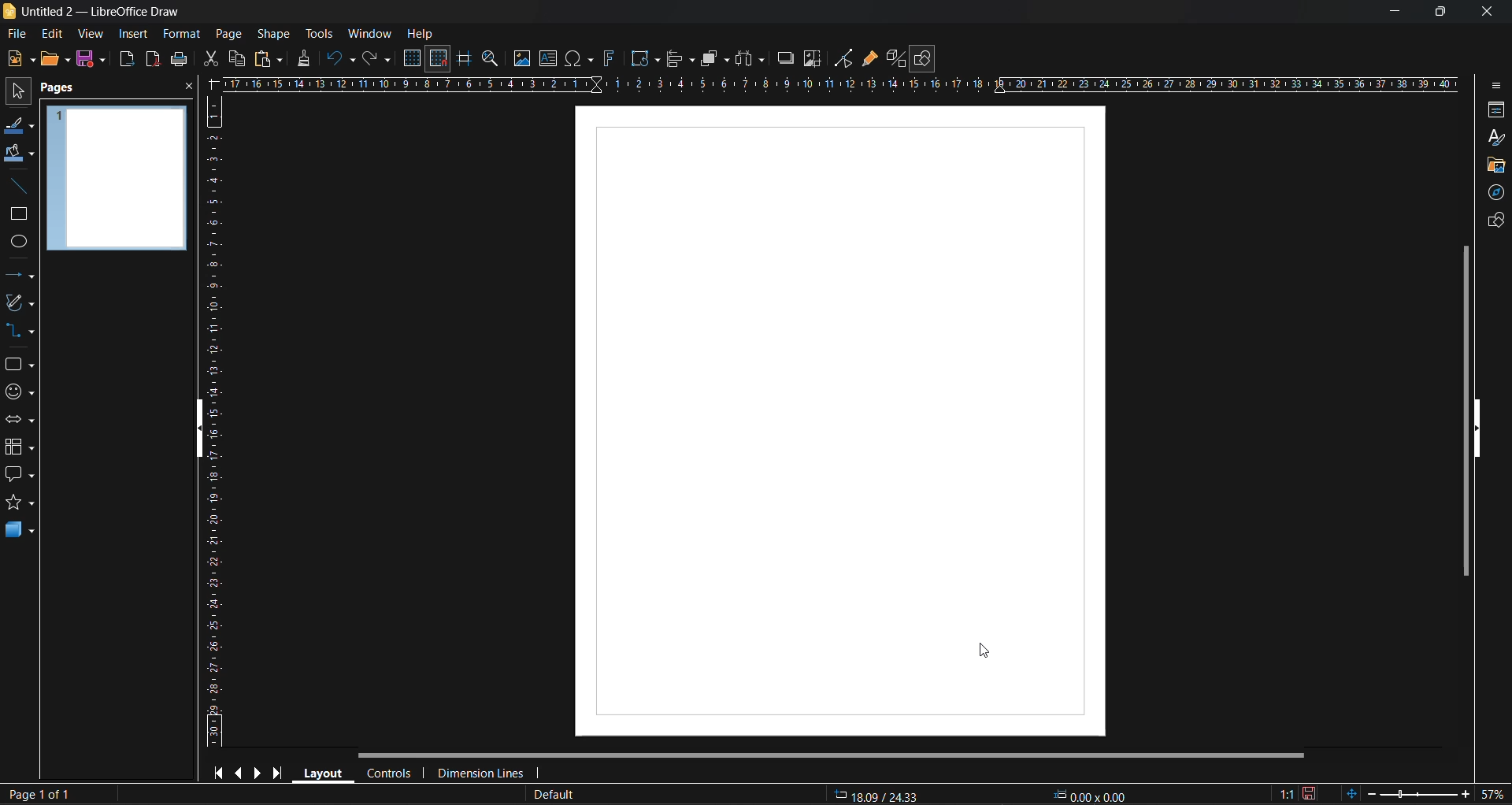 Image resolution: width=1512 pixels, height=805 pixels. I want to click on arrange, so click(716, 59).